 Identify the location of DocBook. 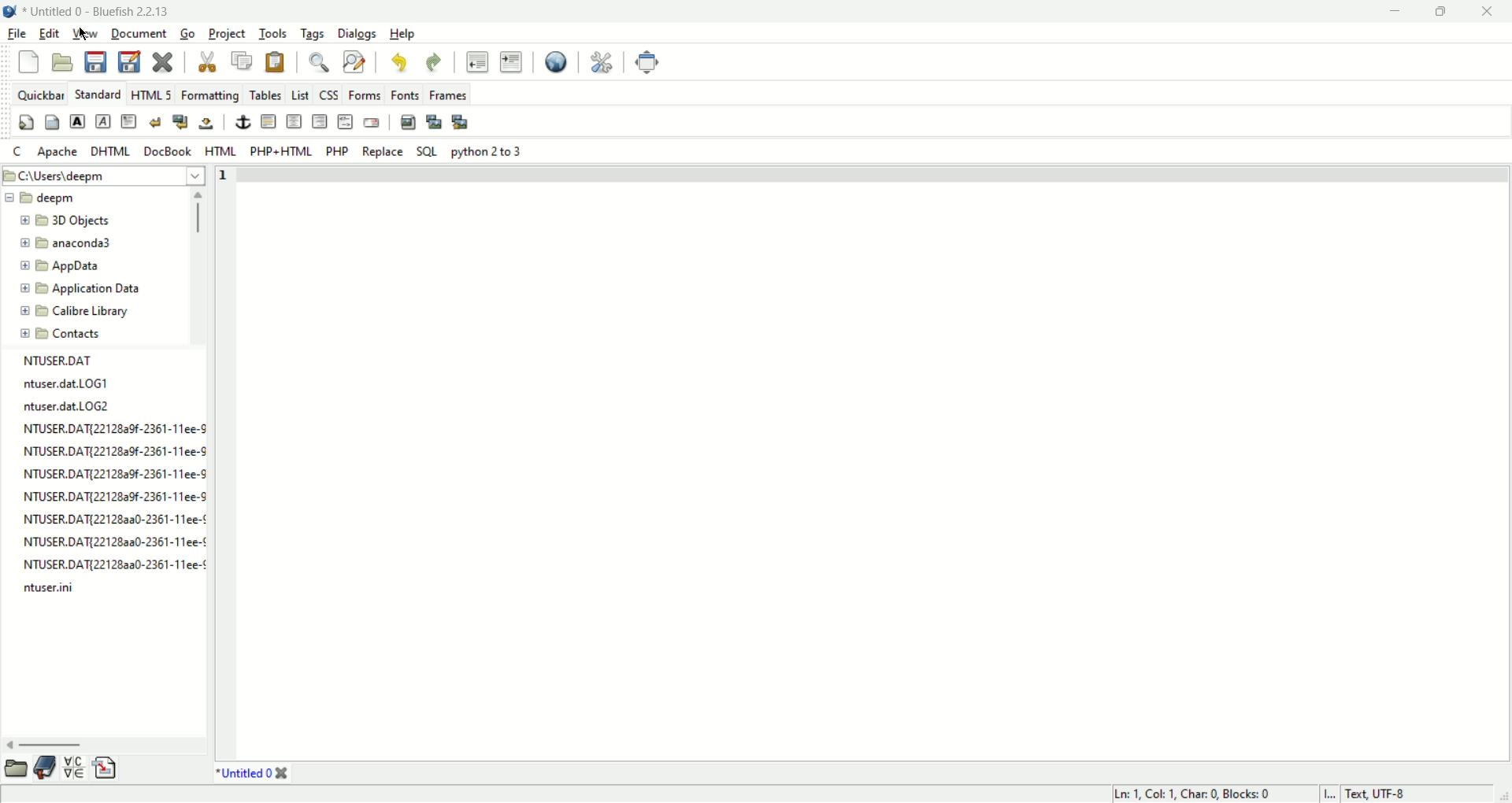
(169, 153).